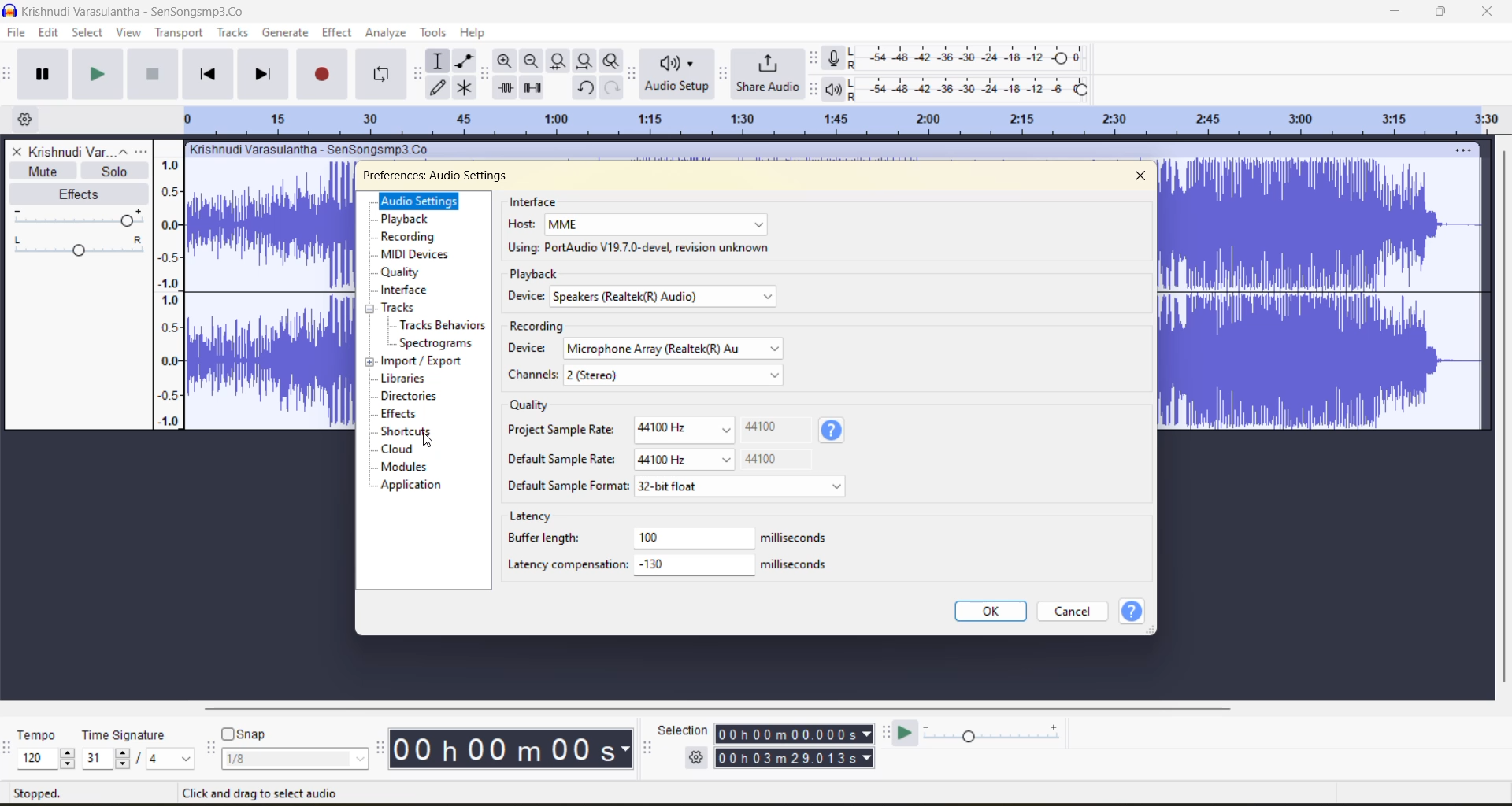 The height and width of the screenshot is (806, 1512). What do you see at coordinates (14, 35) in the screenshot?
I see `file` at bounding box center [14, 35].